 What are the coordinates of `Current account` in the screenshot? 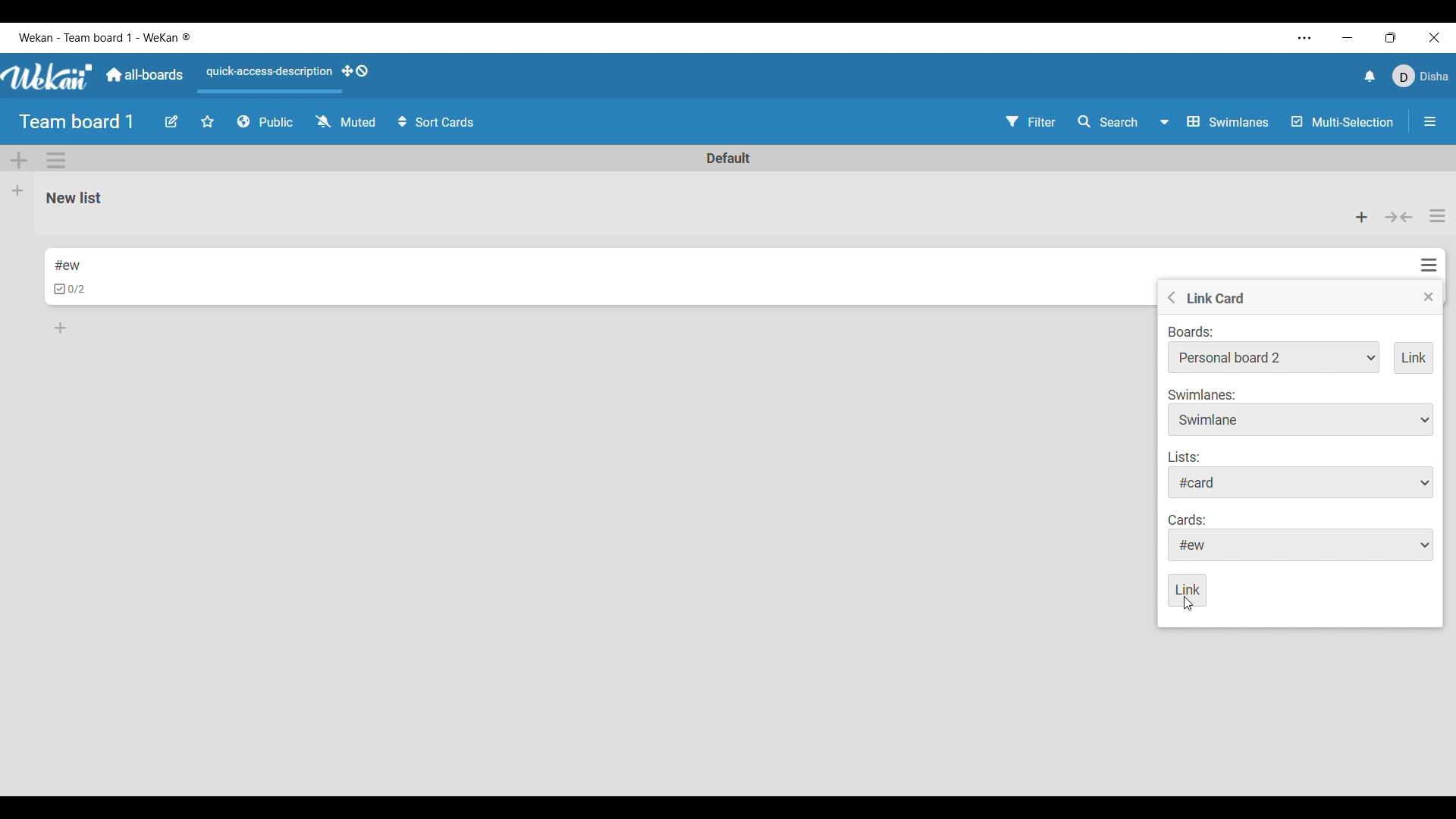 It's located at (1420, 77).